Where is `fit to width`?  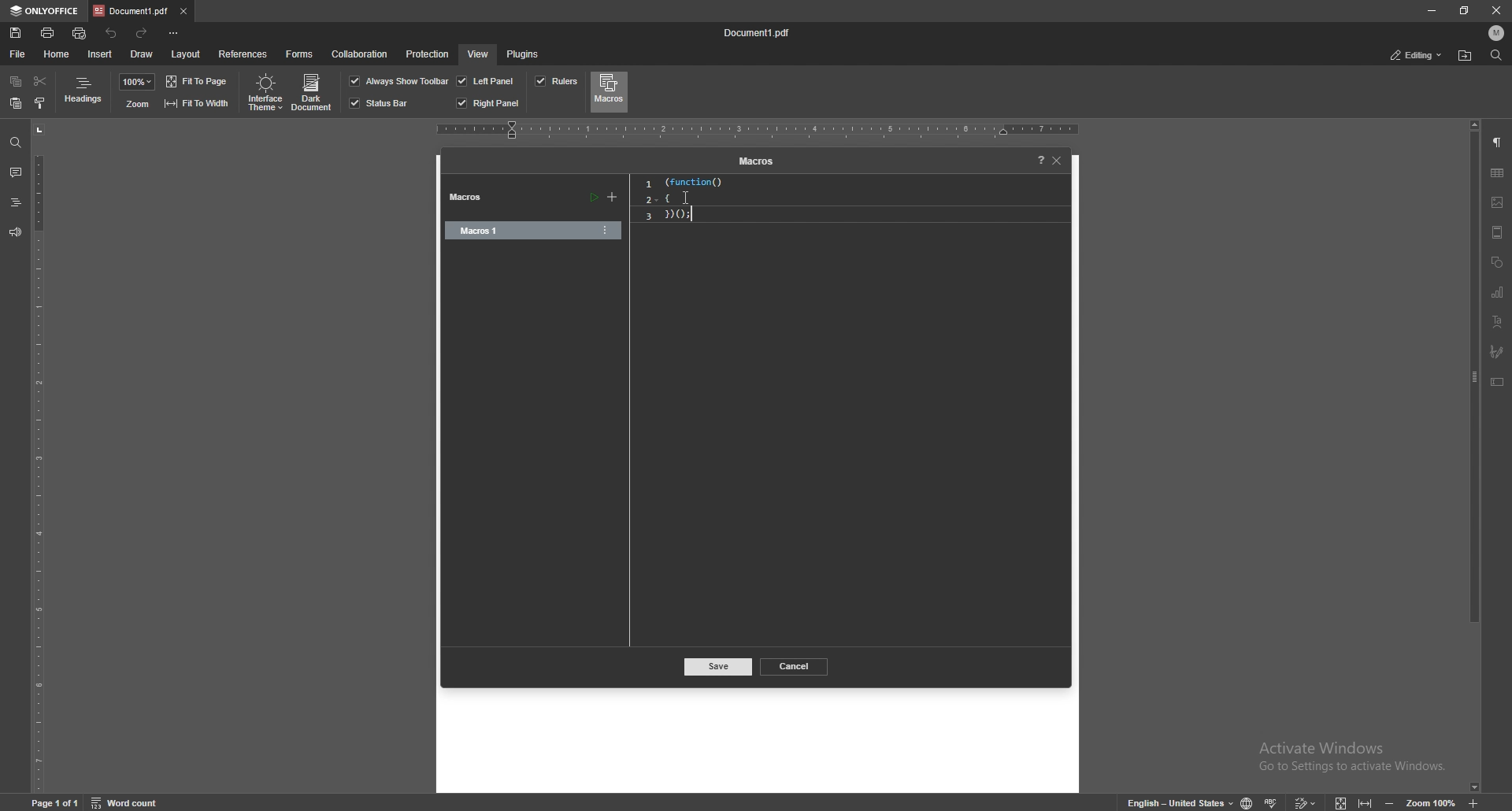
fit to width is located at coordinates (196, 102).